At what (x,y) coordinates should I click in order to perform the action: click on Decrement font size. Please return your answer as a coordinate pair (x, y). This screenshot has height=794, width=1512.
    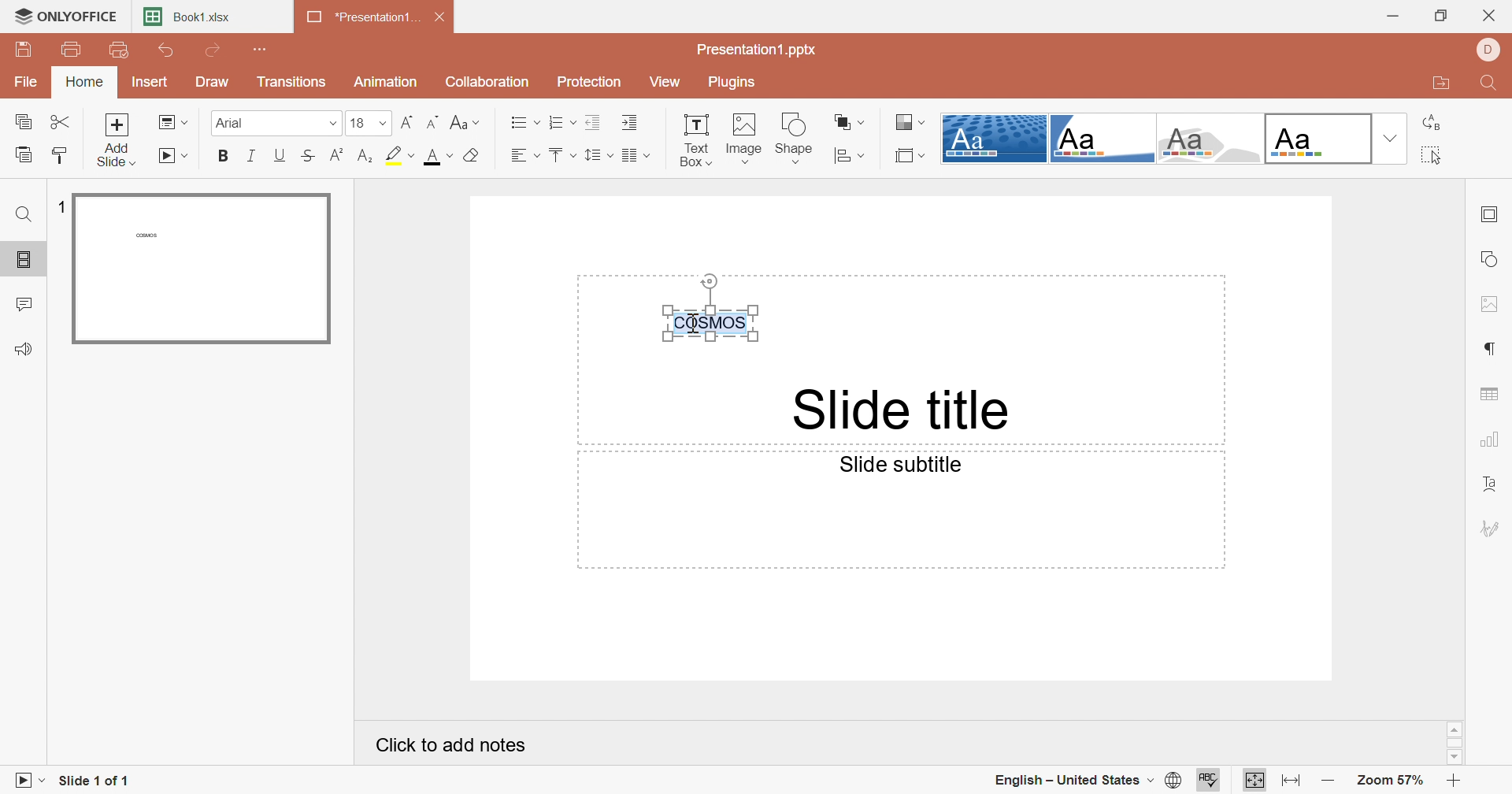
    Looking at the image, I should click on (434, 124).